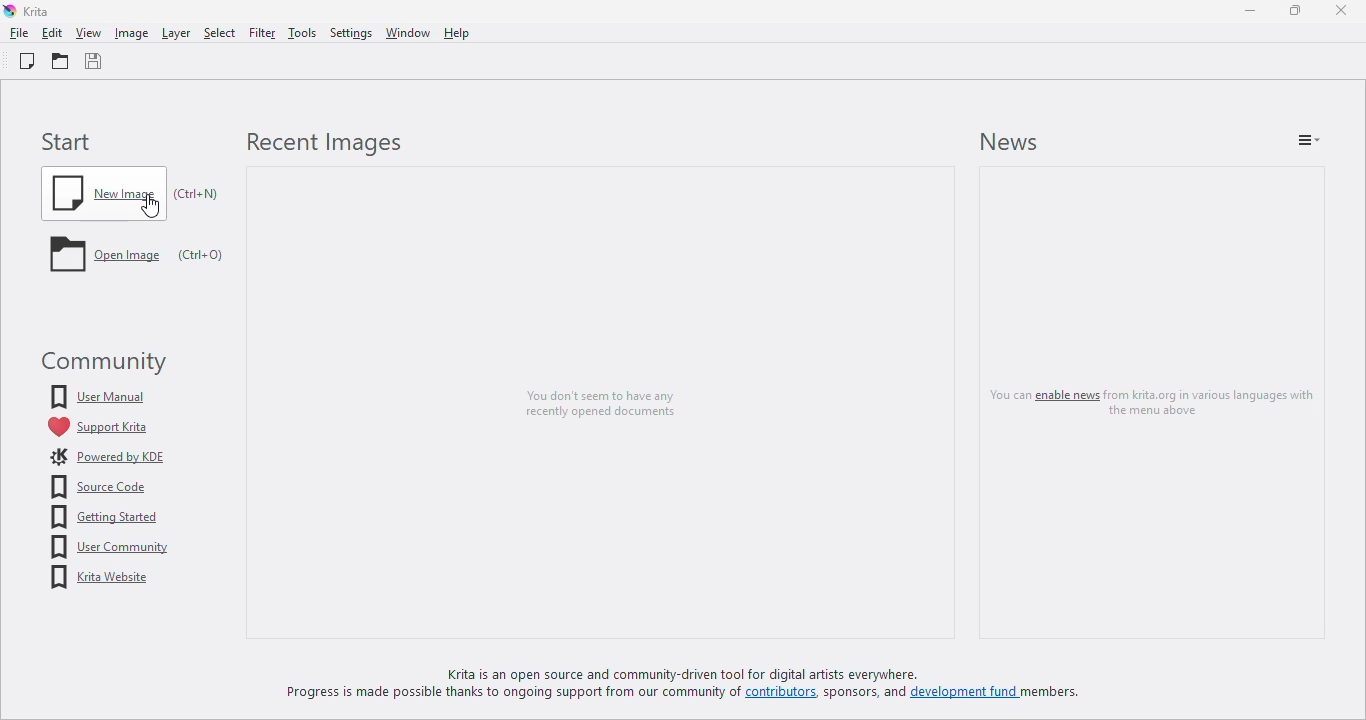 The image size is (1366, 720). I want to click on select, so click(219, 33).